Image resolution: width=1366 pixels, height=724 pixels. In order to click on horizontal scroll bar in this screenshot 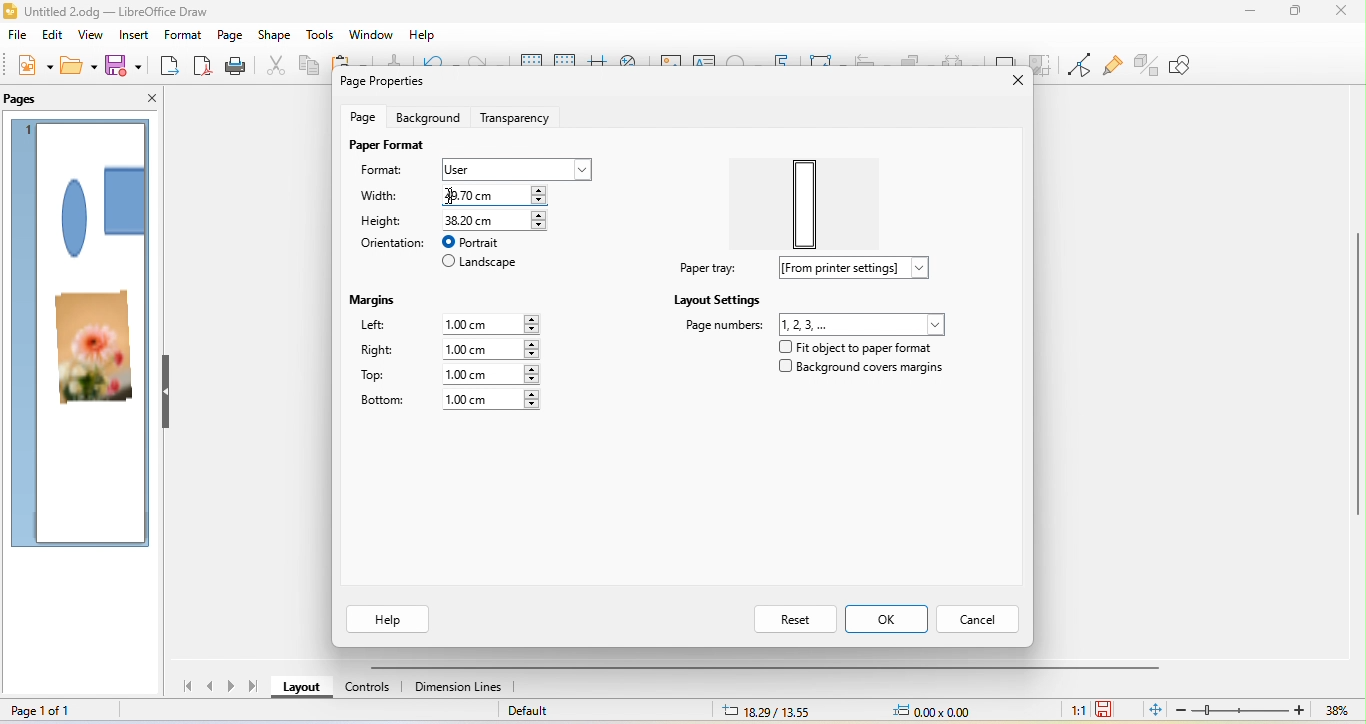, I will do `click(764, 669)`.